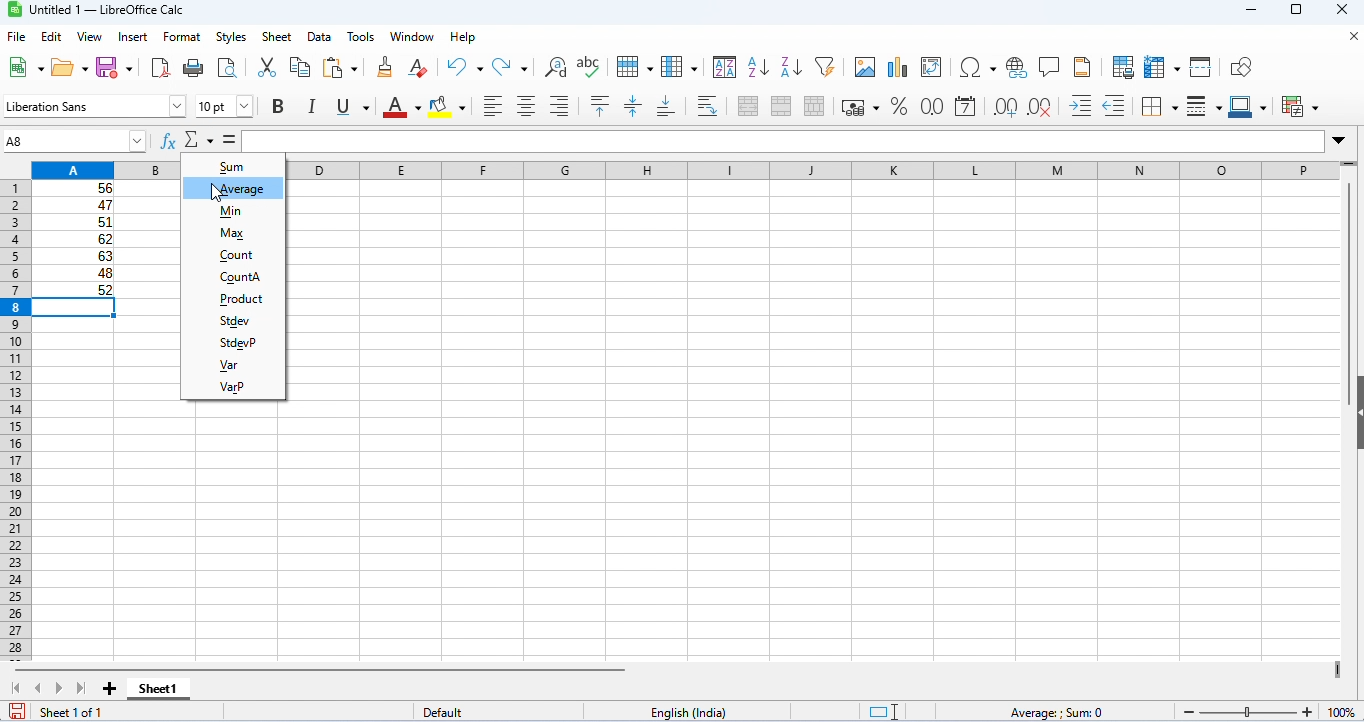 This screenshot has height=722, width=1364. Describe the element at coordinates (142, 140) in the screenshot. I see `drop down` at that location.